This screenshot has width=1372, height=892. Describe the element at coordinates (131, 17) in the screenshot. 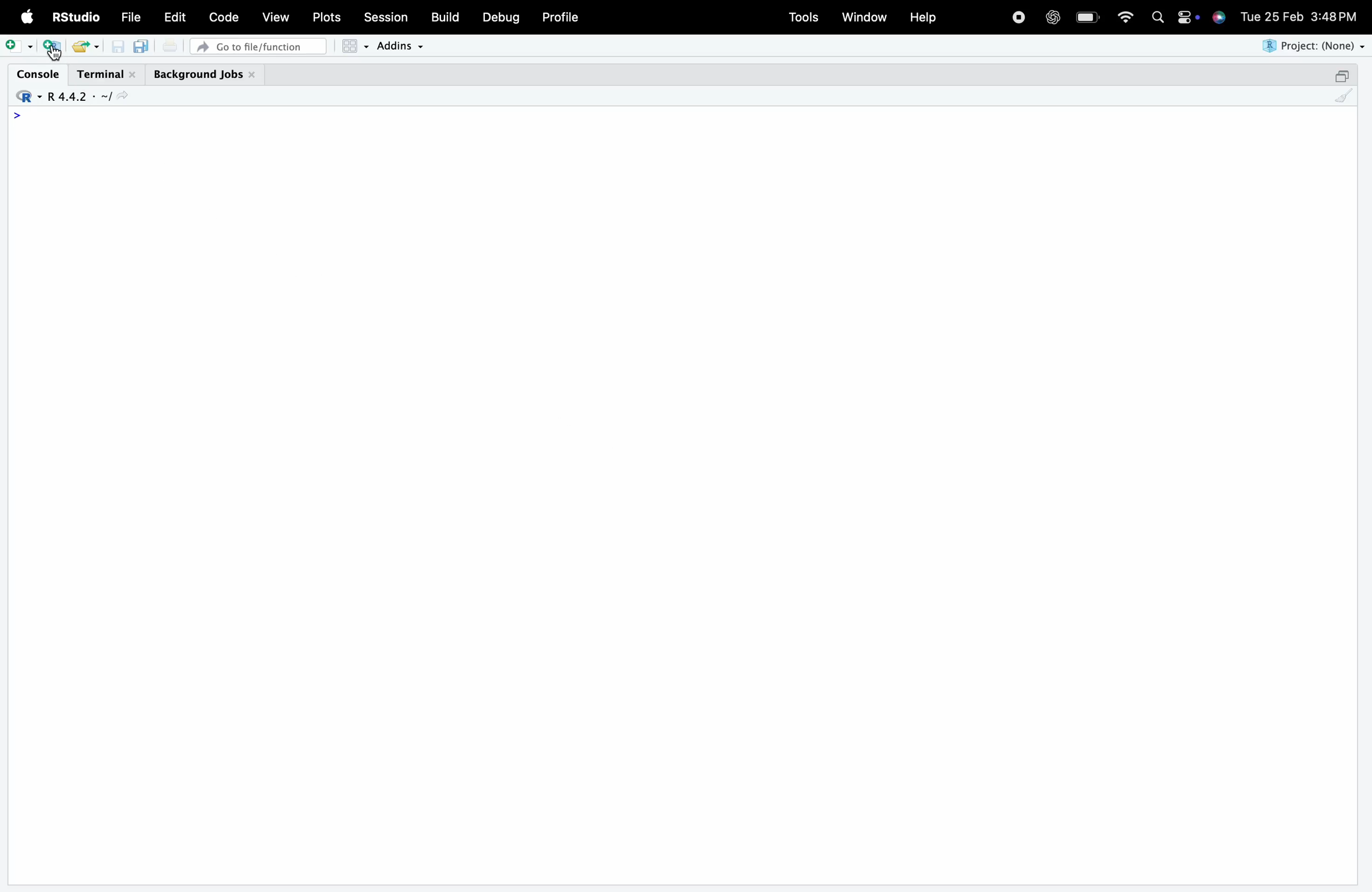

I see `File` at that location.